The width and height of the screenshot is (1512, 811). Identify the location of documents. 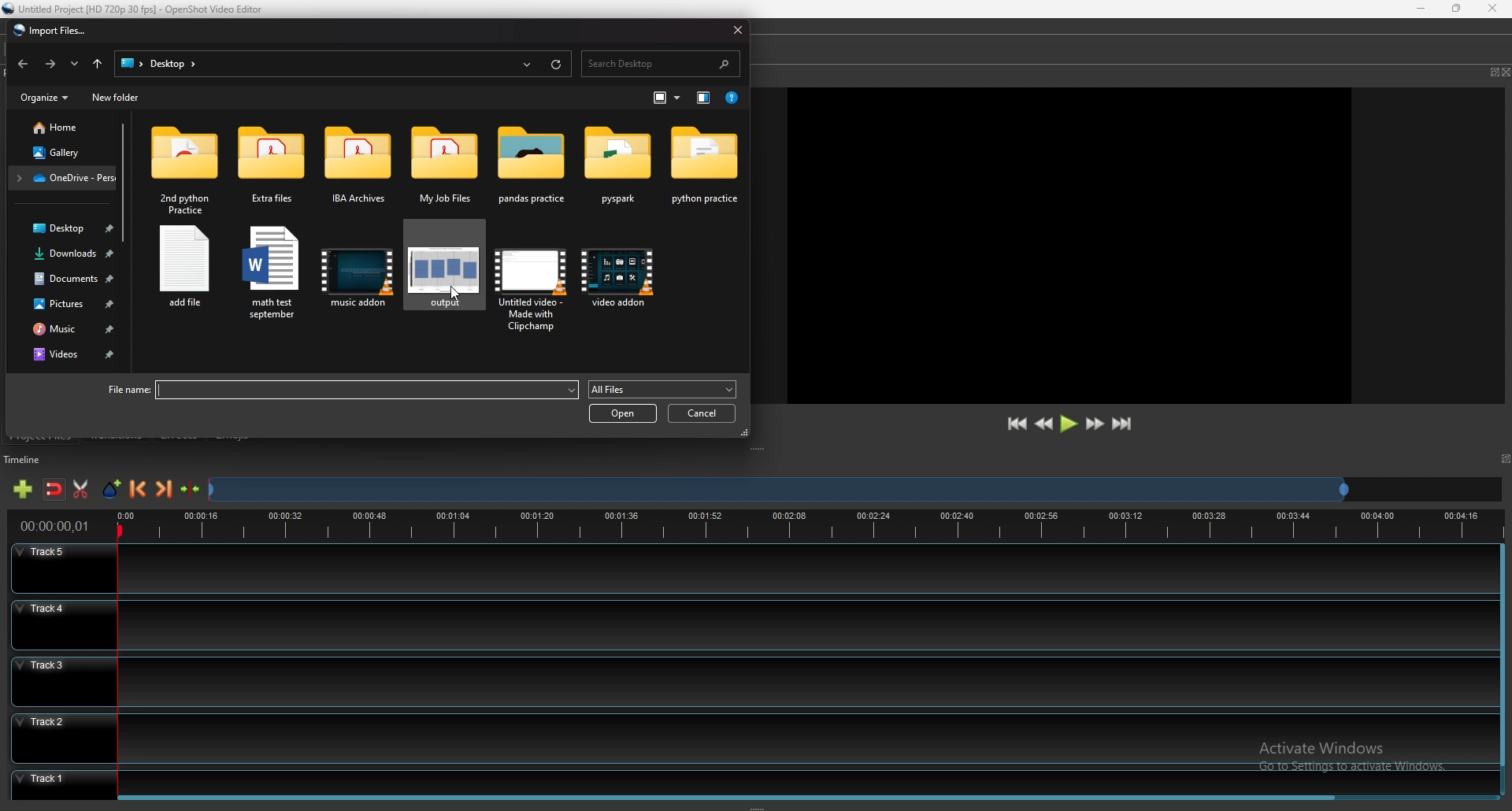
(68, 278).